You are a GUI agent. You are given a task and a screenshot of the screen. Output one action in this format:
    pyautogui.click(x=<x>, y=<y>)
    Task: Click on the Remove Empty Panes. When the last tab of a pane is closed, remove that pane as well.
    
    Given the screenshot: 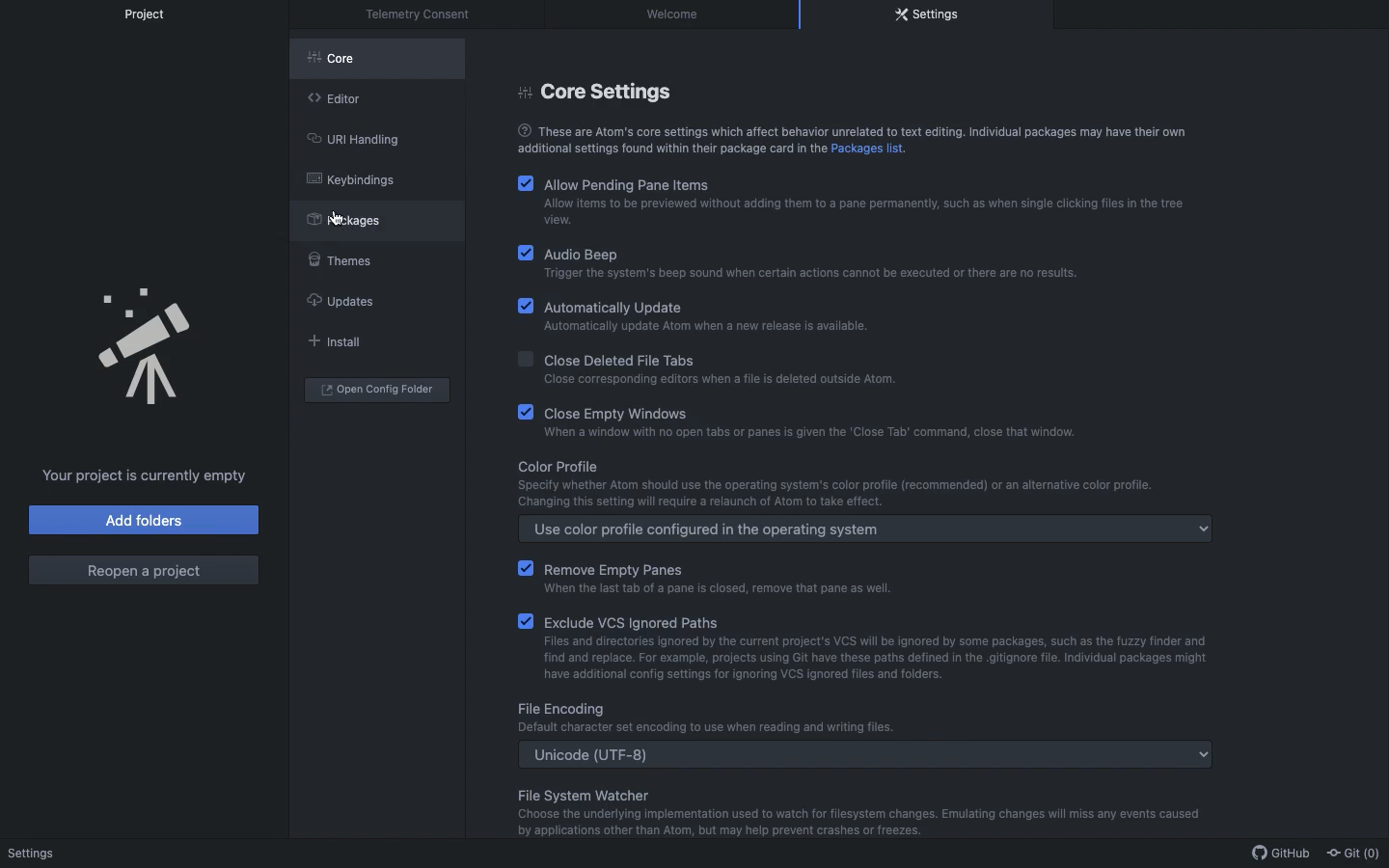 What is the action you would take?
    pyautogui.click(x=749, y=576)
    